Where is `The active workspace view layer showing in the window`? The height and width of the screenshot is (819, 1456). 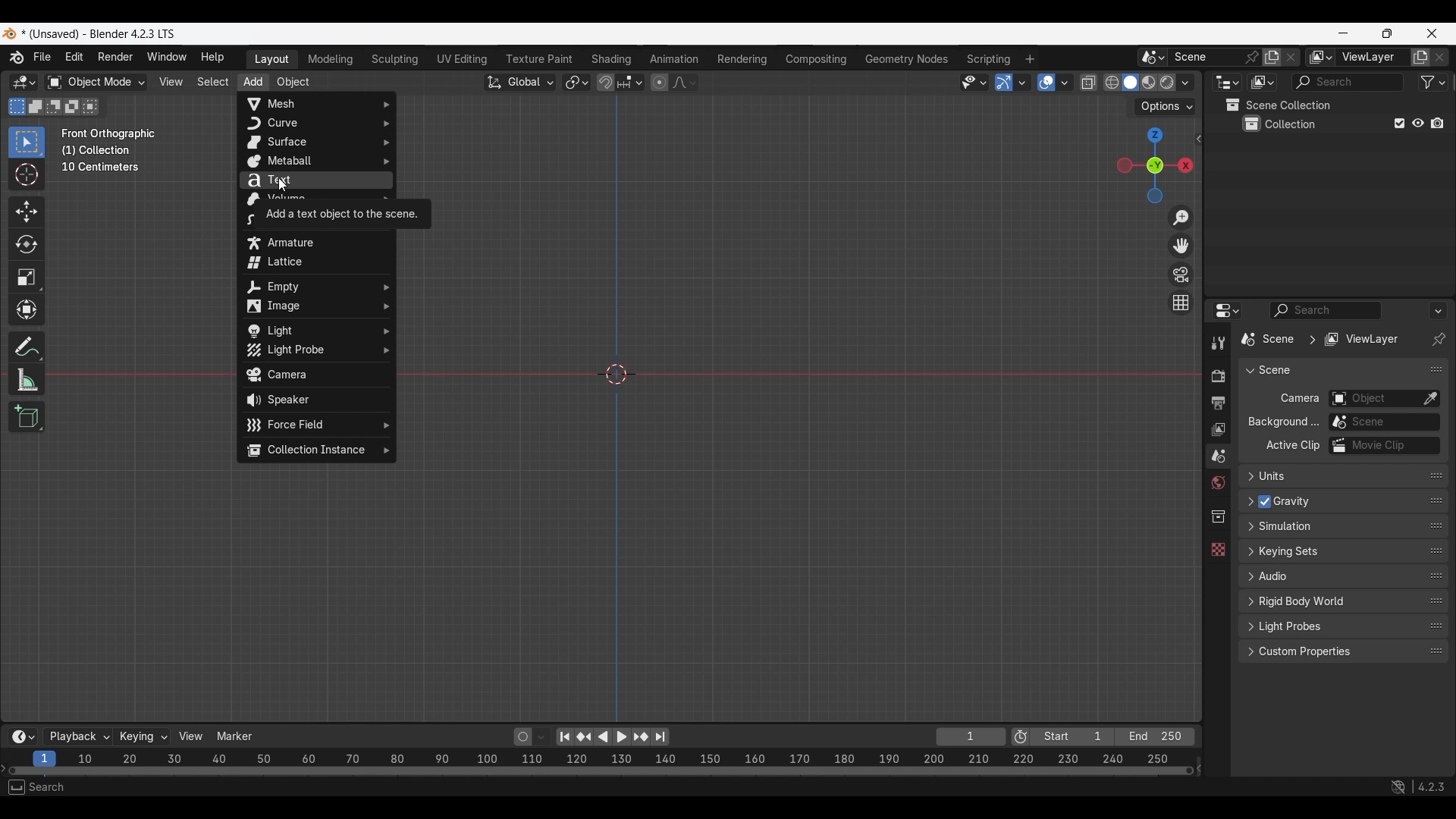 The active workspace view layer showing in the window is located at coordinates (1321, 57).